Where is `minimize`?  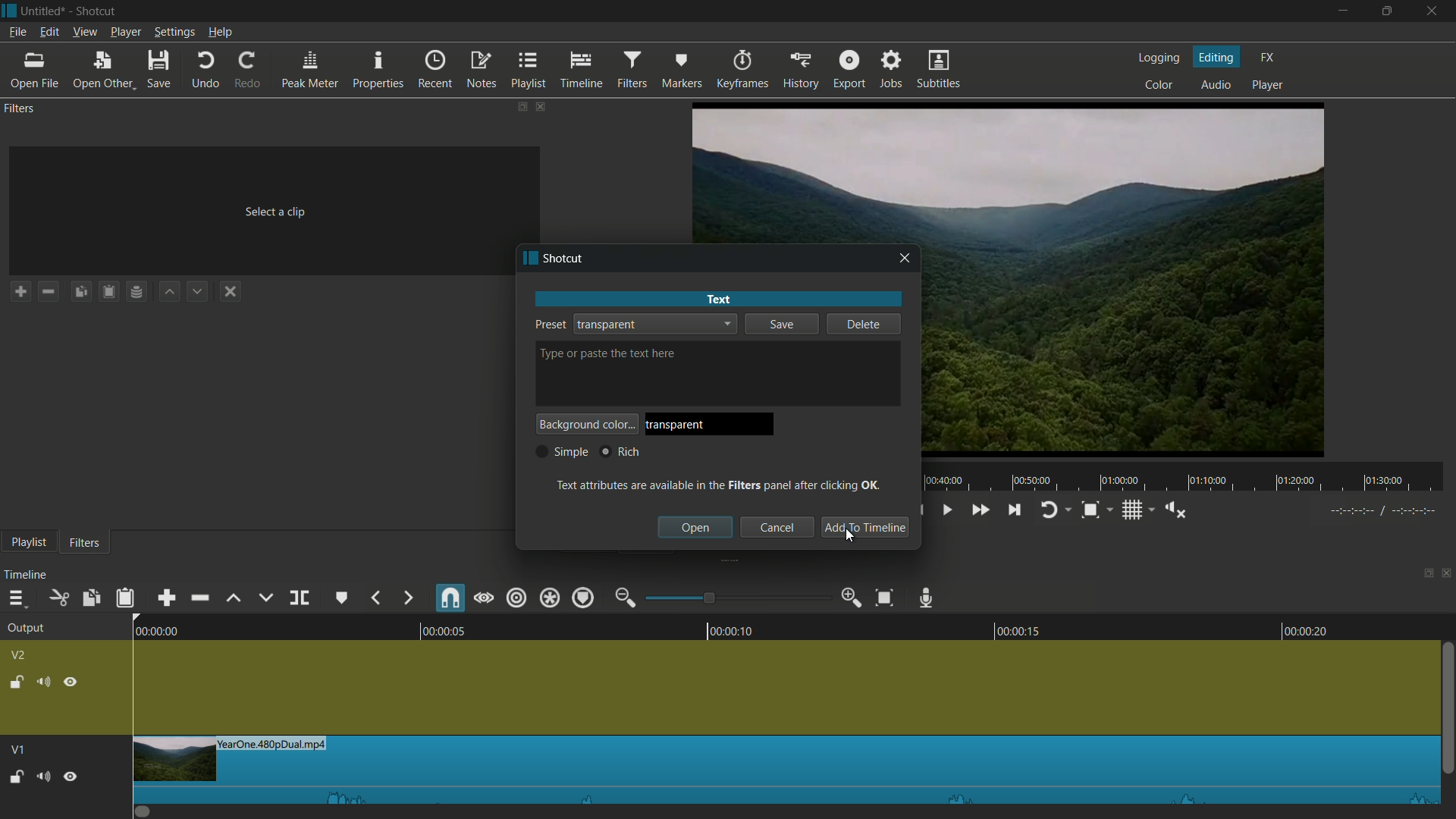
minimize is located at coordinates (1346, 11).